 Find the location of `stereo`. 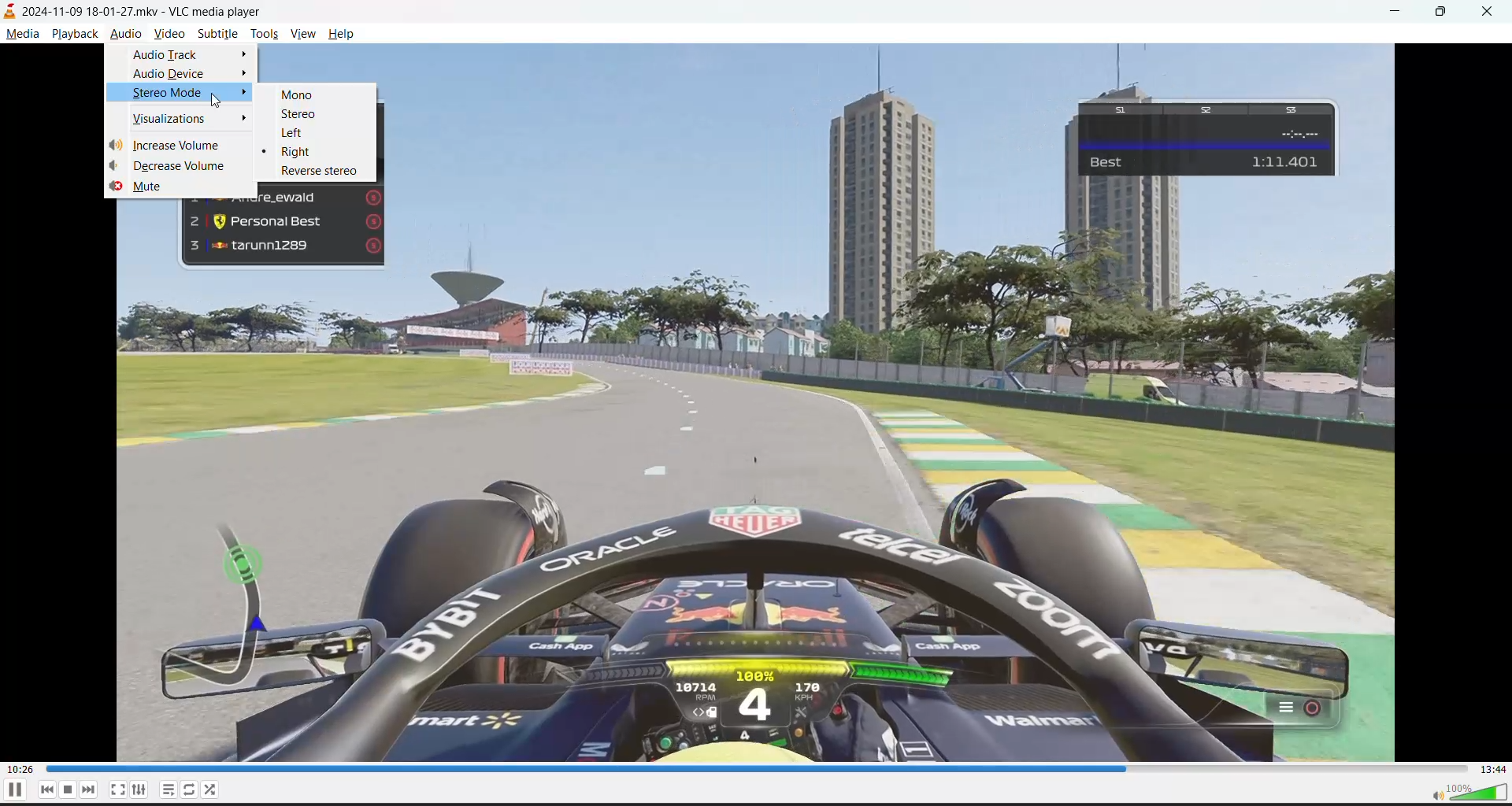

stereo is located at coordinates (303, 113).